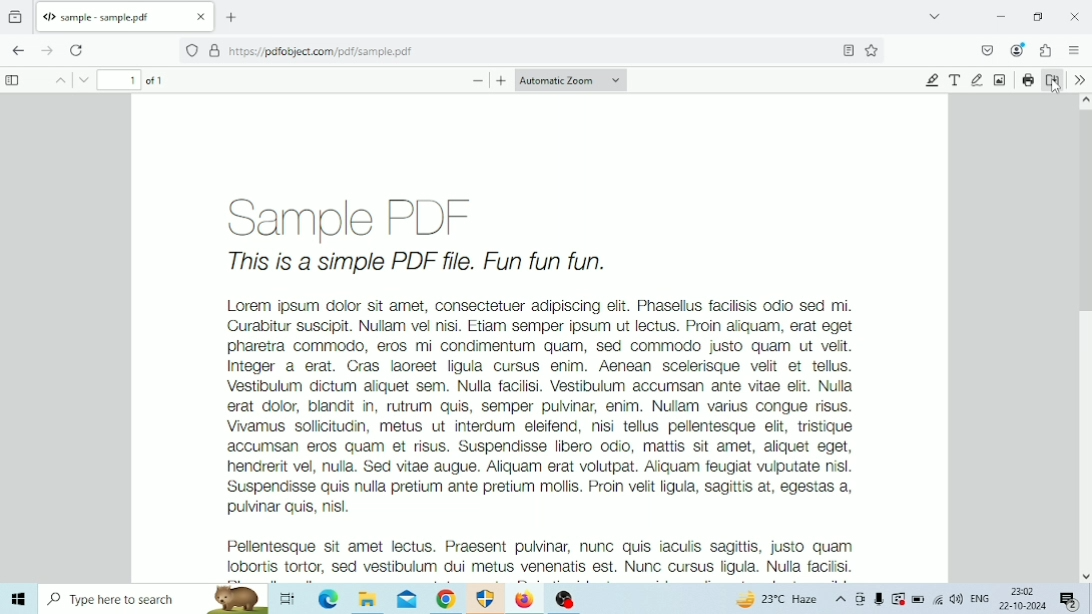  Describe the element at coordinates (487, 599) in the screenshot. I see `Windows Defender` at that location.